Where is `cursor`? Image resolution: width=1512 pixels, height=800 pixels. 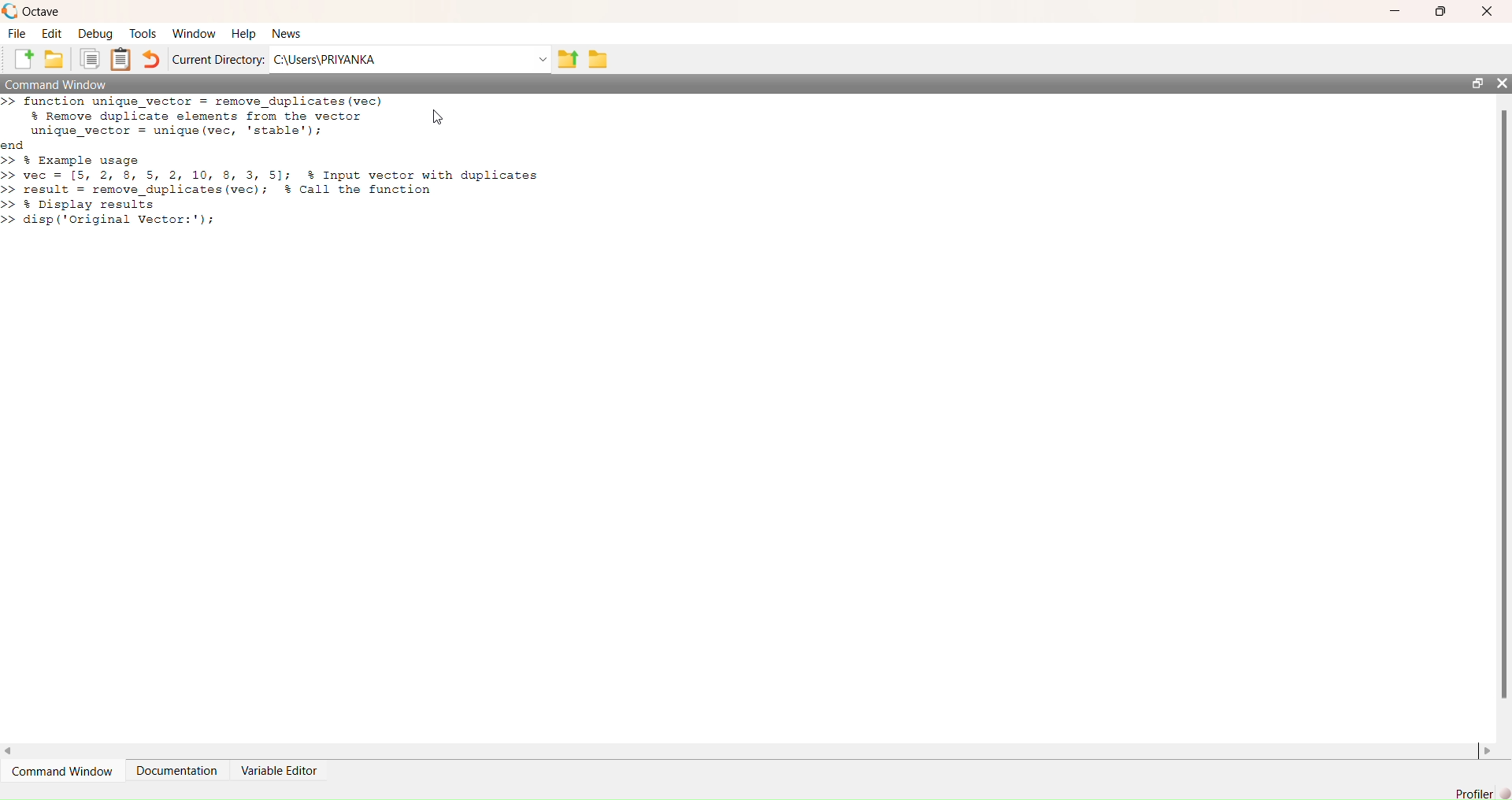 cursor is located at coordinates (438, 116).